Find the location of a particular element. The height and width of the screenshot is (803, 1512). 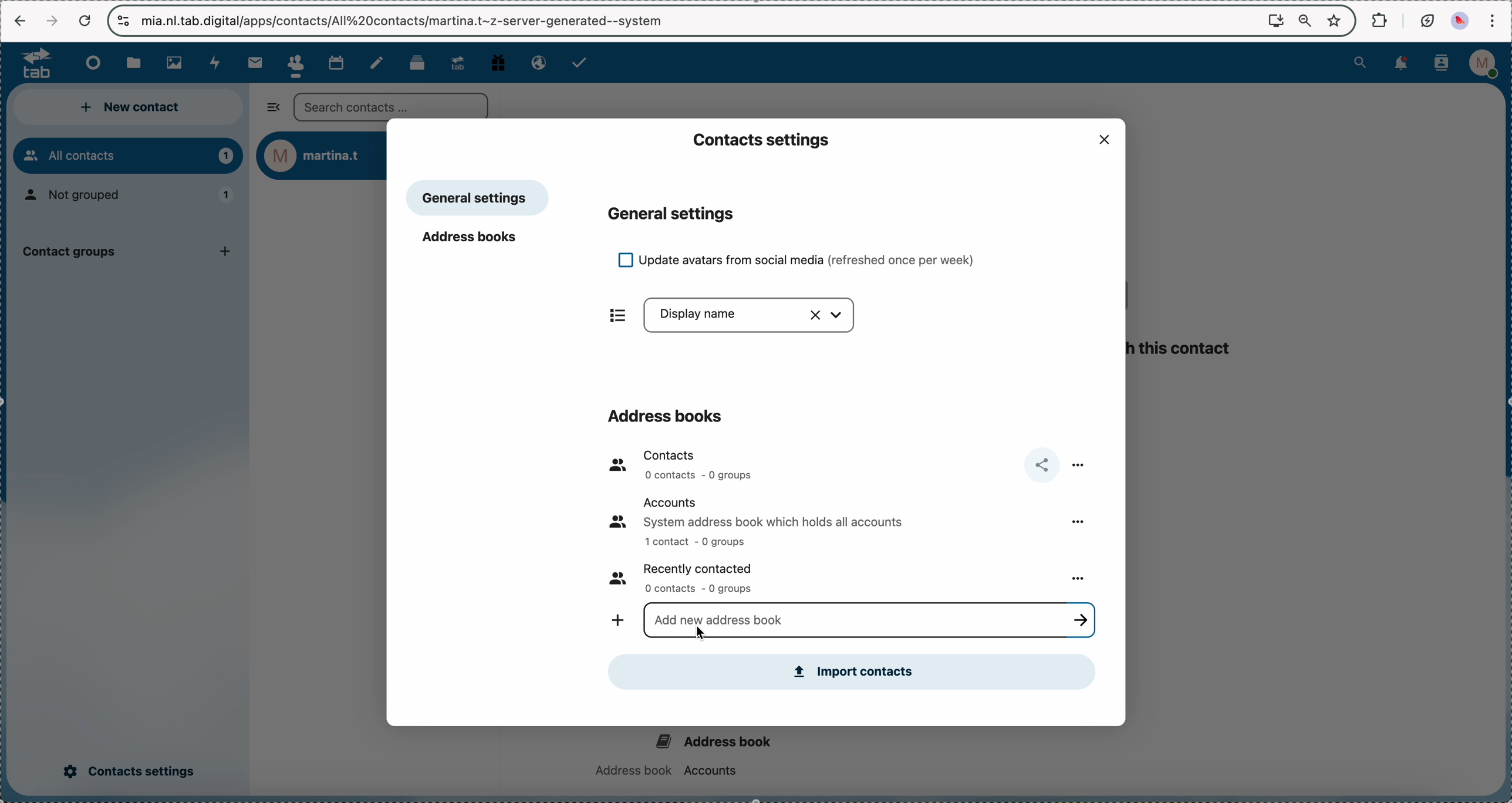

calendar is located at coordinates (335, 62).